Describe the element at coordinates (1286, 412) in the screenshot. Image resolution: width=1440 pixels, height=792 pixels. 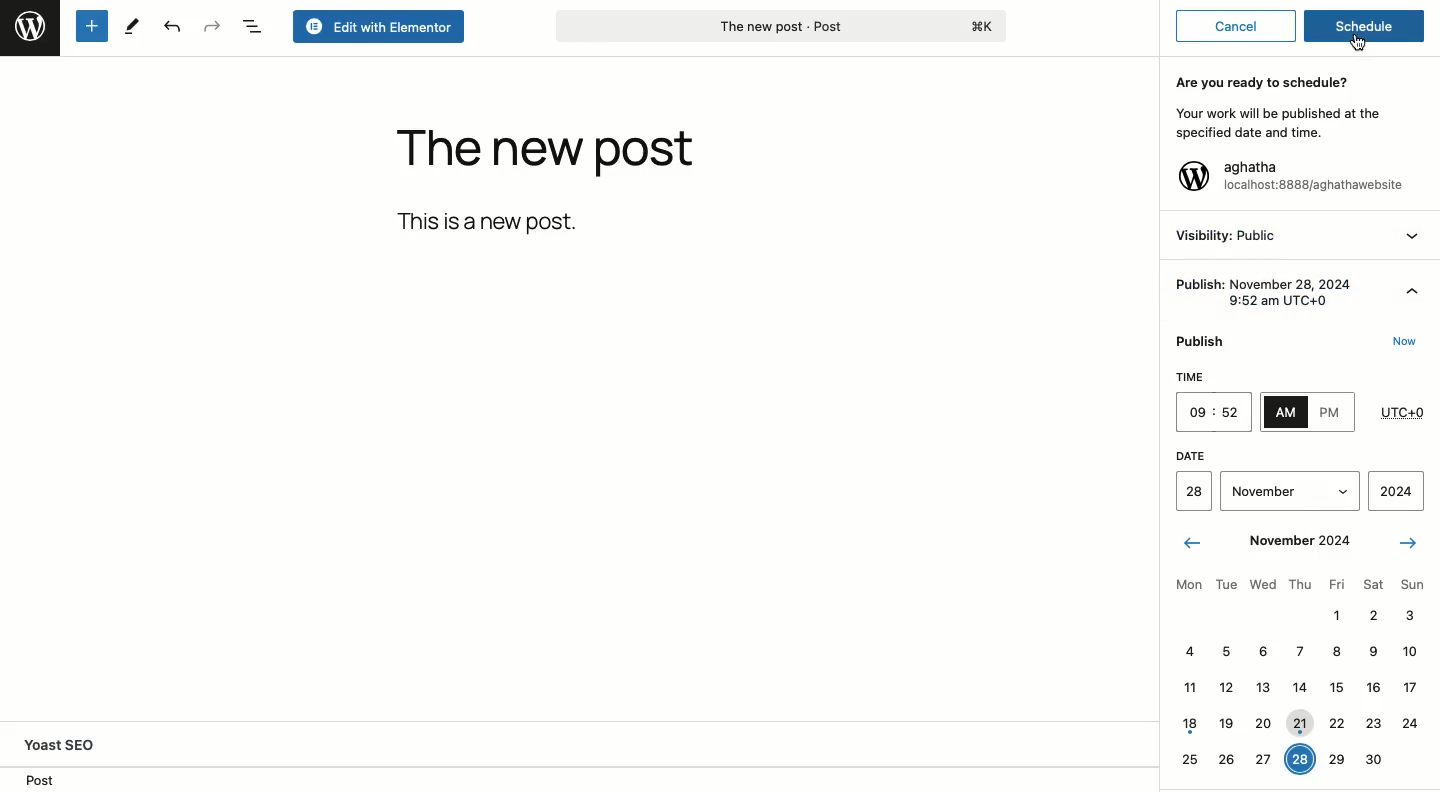
I see `AM` at that location.